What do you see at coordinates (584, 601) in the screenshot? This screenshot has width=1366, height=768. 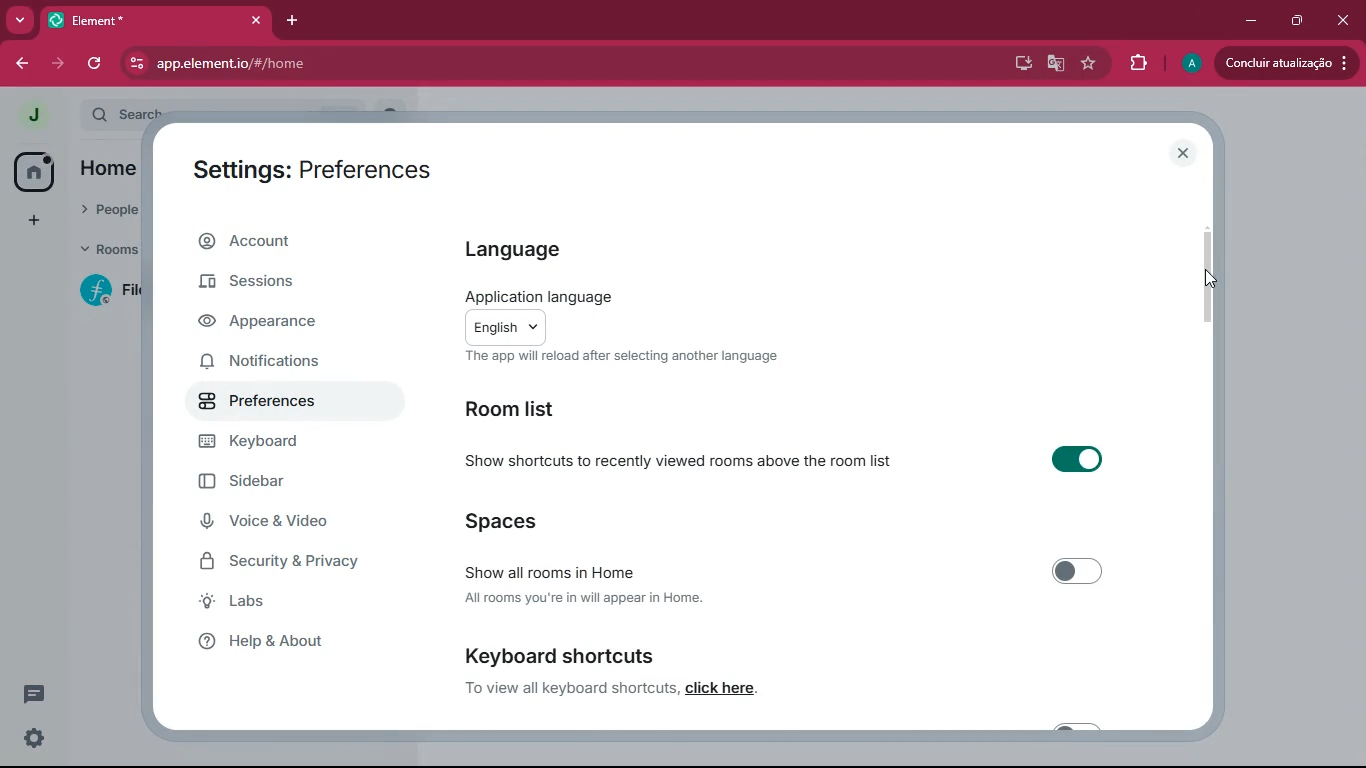 I see `All rooms you're in will appear in Home.` at bounding box center [584, 601].